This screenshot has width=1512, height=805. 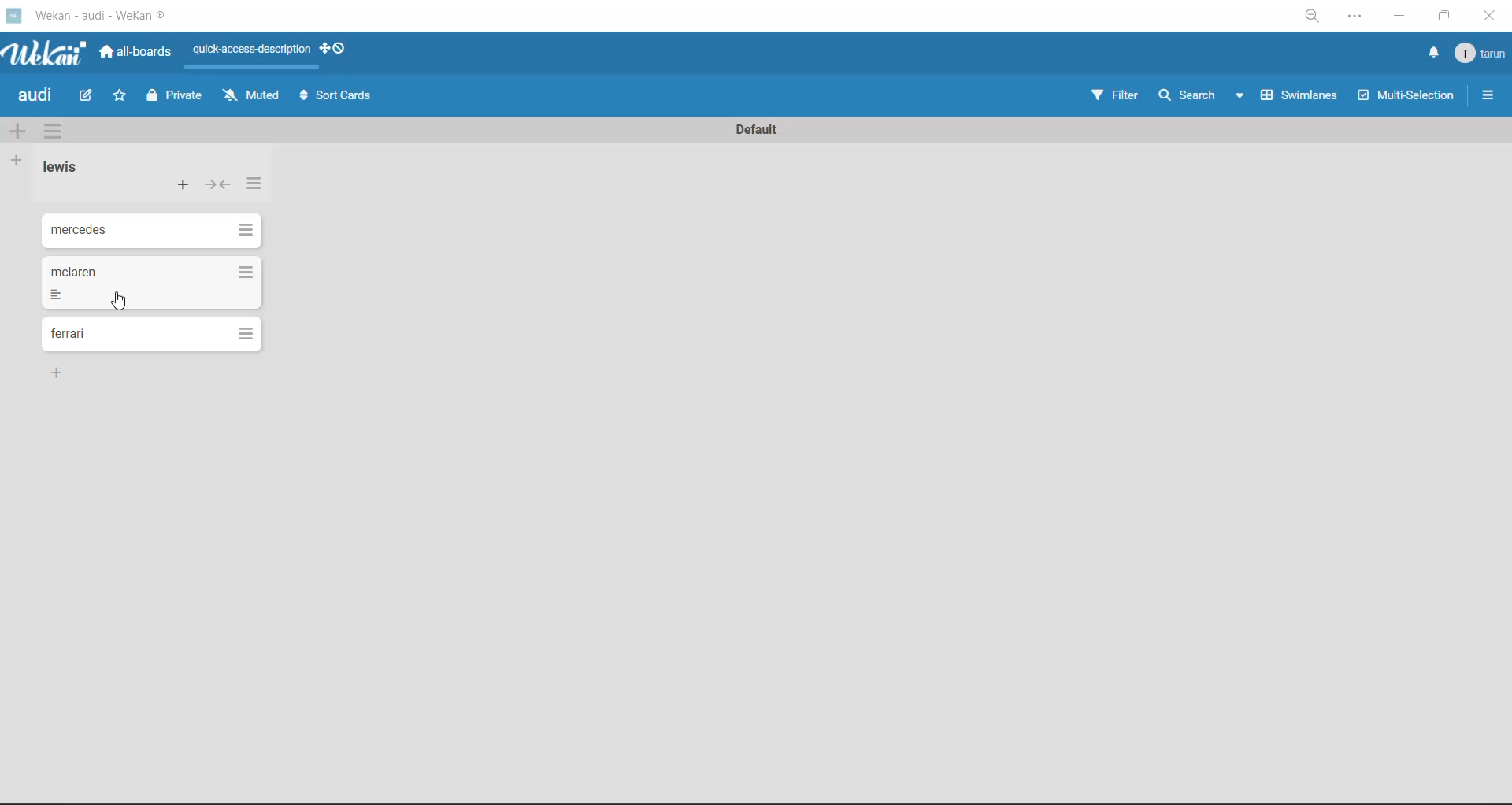 I want to click on app logo, so click(x=47, y=55).